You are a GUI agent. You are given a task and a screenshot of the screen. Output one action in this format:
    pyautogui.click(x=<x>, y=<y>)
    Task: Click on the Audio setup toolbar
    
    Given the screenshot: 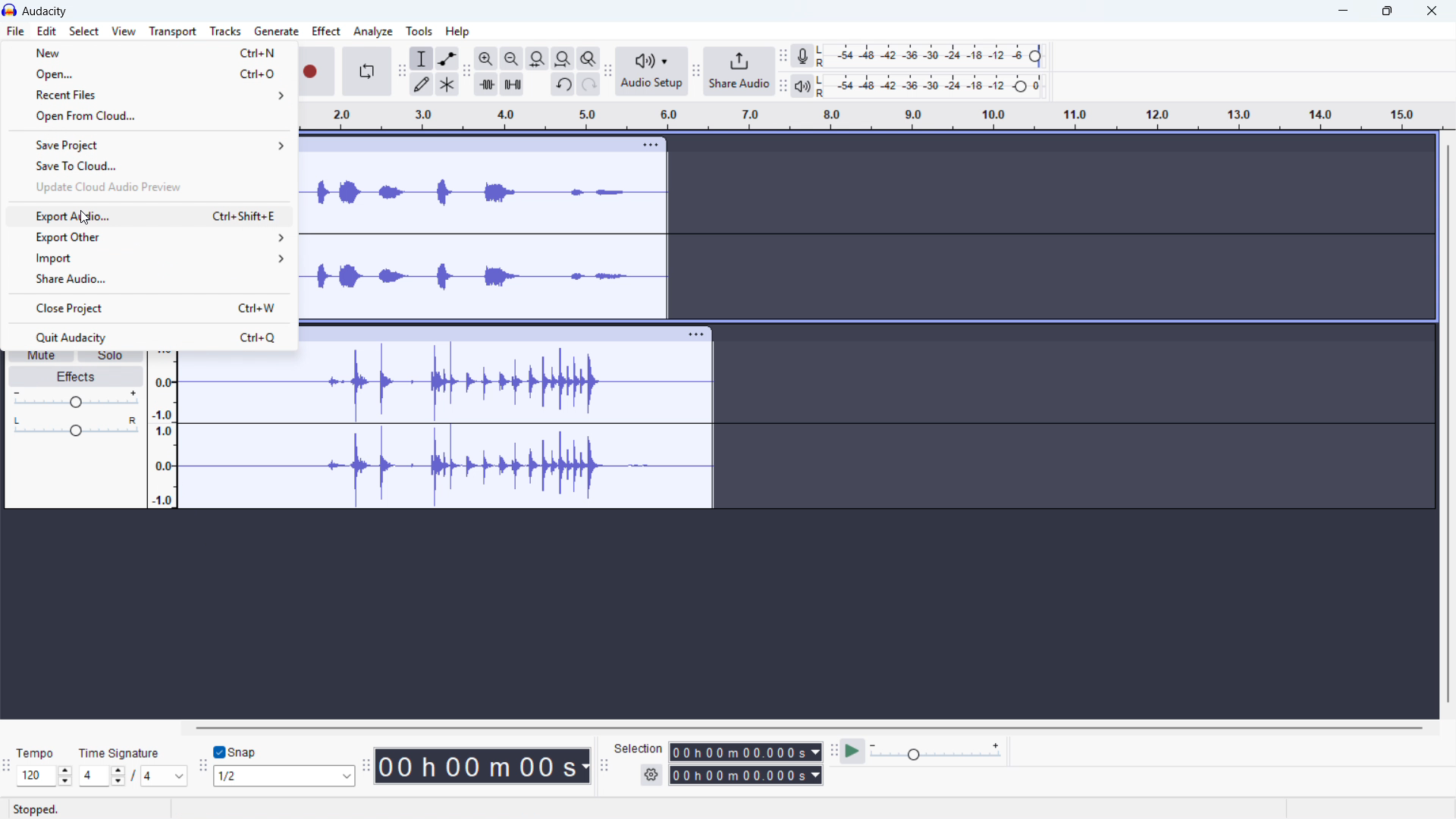 What is the action you would take?
    pyautogui.click(x=608, y=71)
    